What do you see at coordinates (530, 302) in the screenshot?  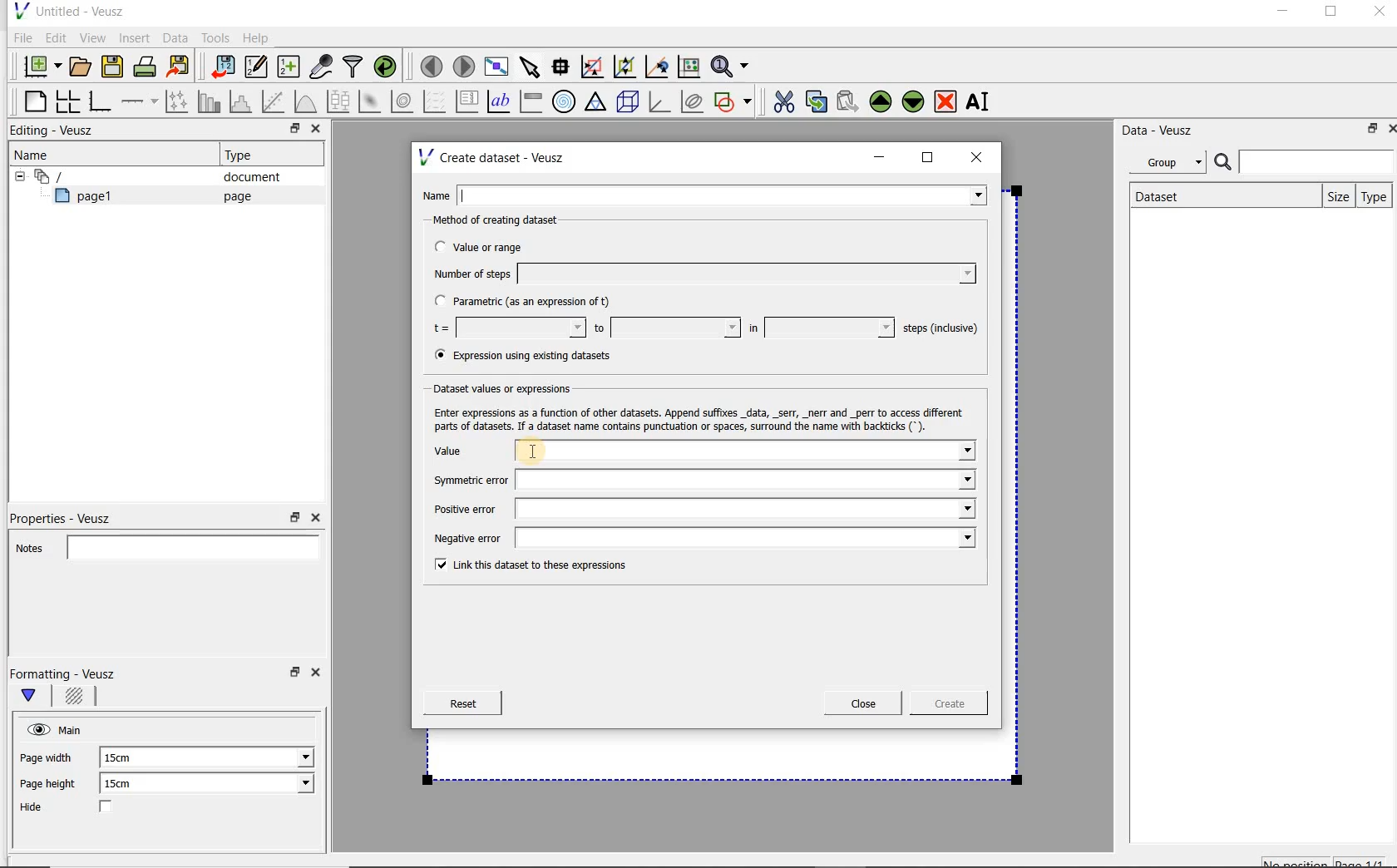 I see `Parametric (as an expression of t)` at bounding box center [530, 302].